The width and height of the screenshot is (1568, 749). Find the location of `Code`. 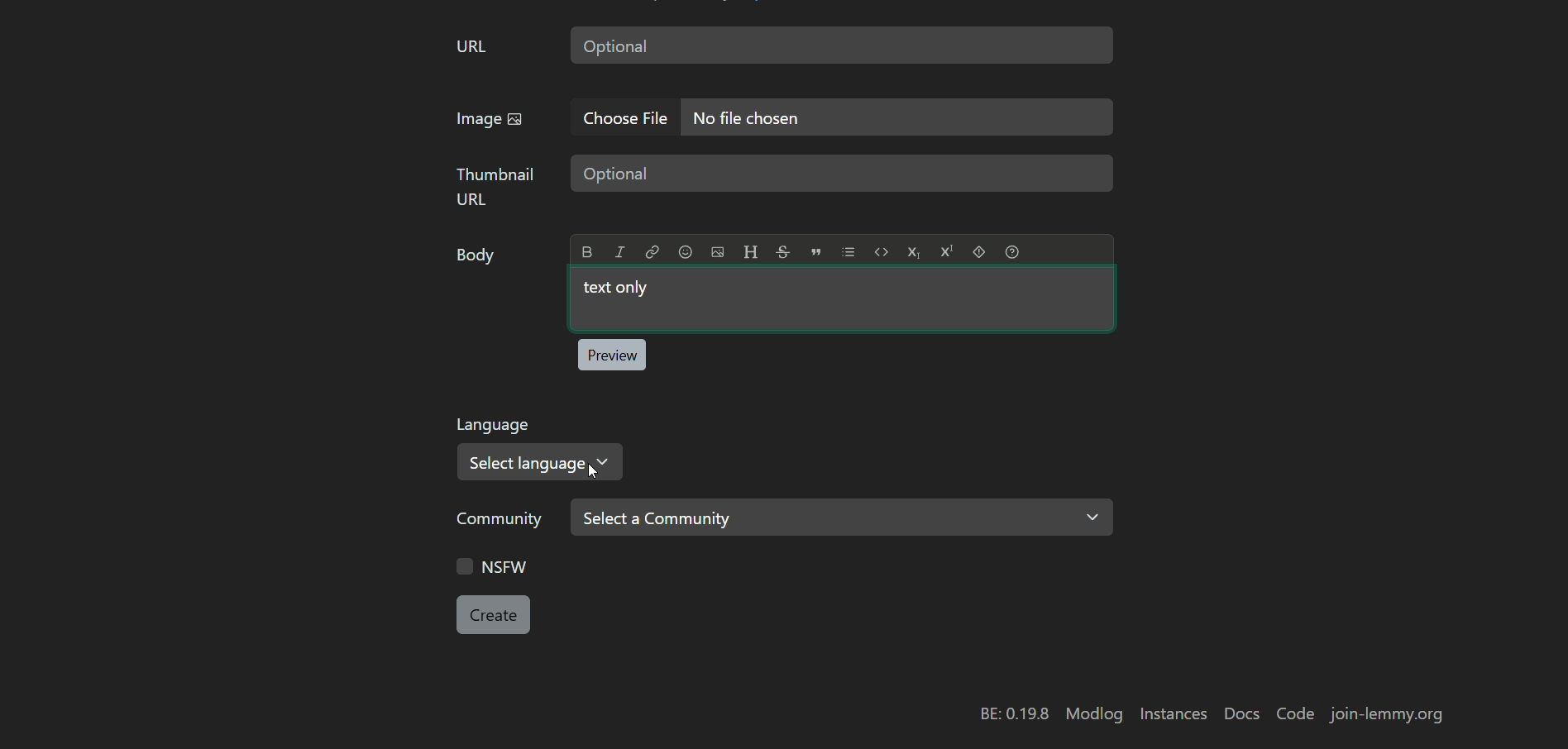

Code is located at coordinates (882, 251).